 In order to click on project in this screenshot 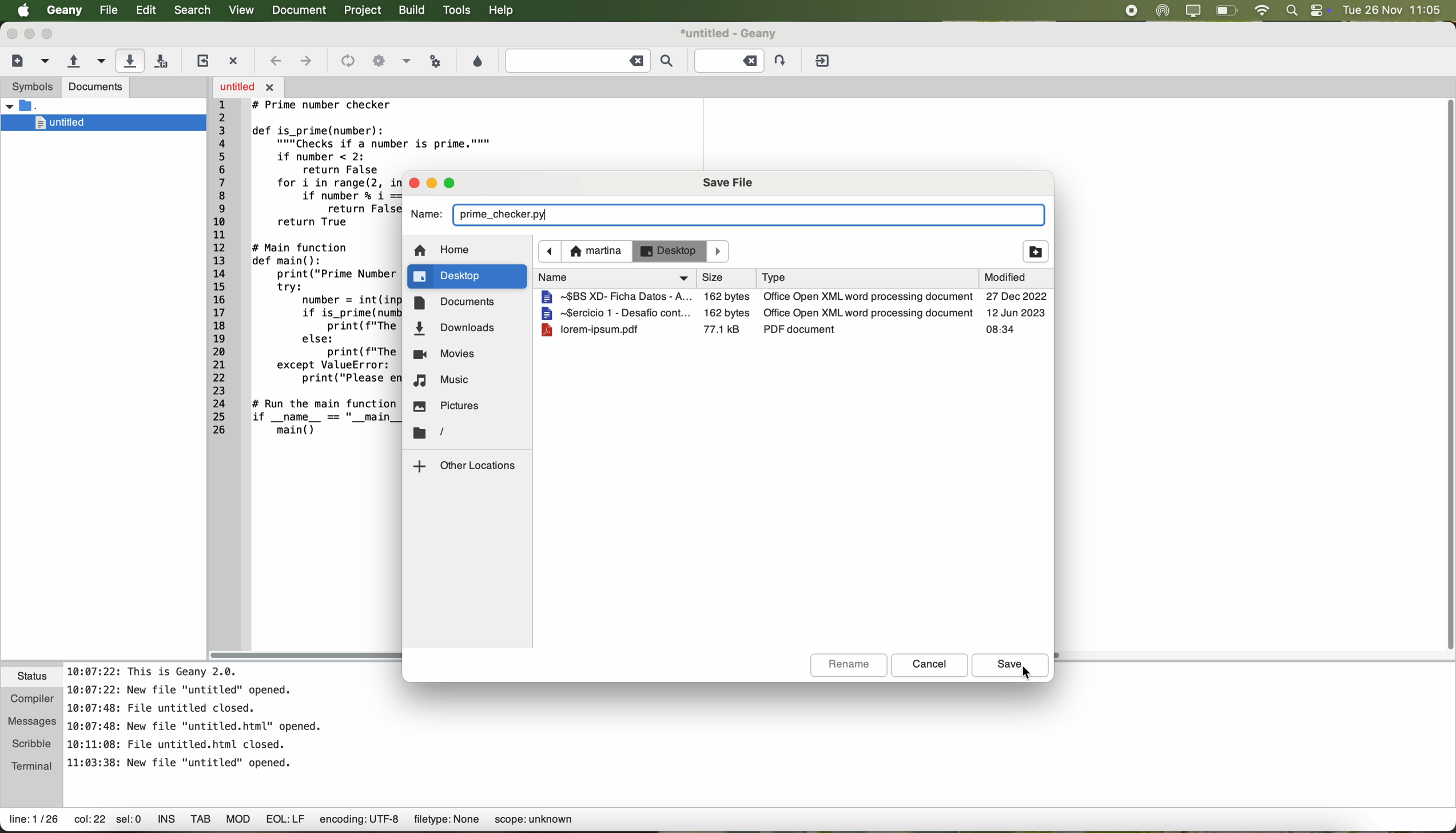, I will do `click(365, 11)`.